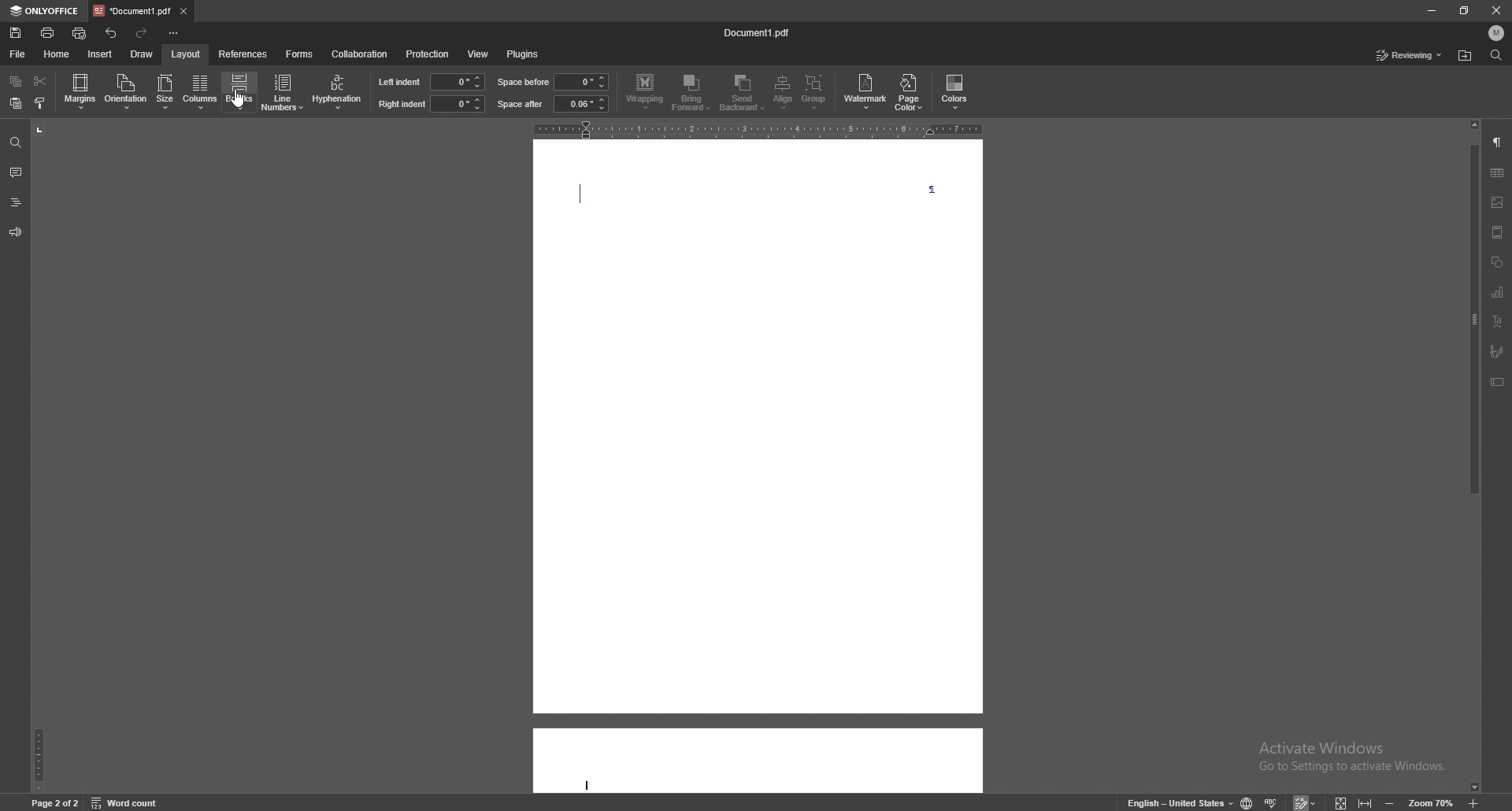 Image resolution: width=1512 pixels, height=811 pixels. I want to click on plugins, so click(523, 54).